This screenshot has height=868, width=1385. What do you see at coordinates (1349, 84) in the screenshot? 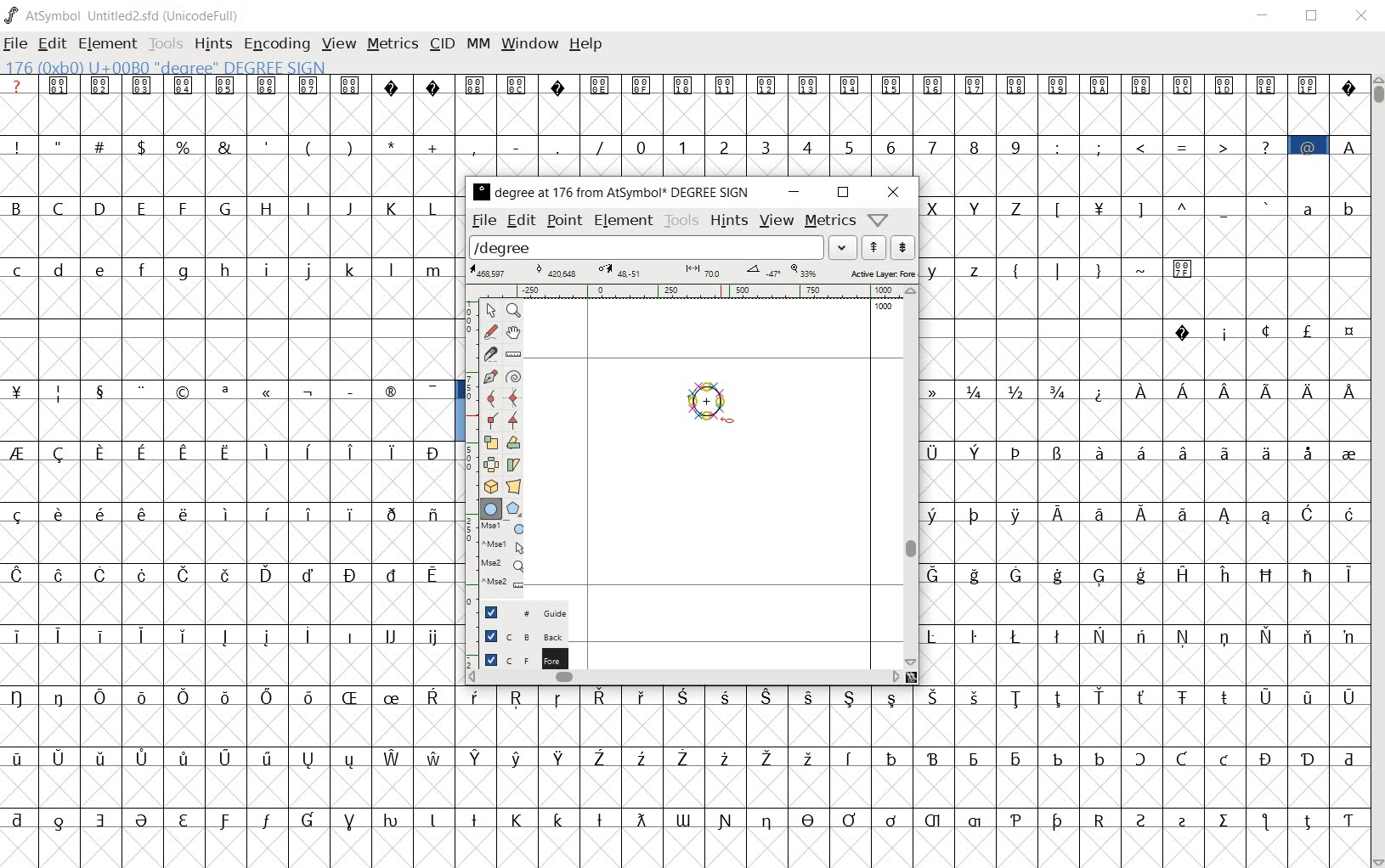
I see `unsupported charters` at bounding box center [1349, 84].